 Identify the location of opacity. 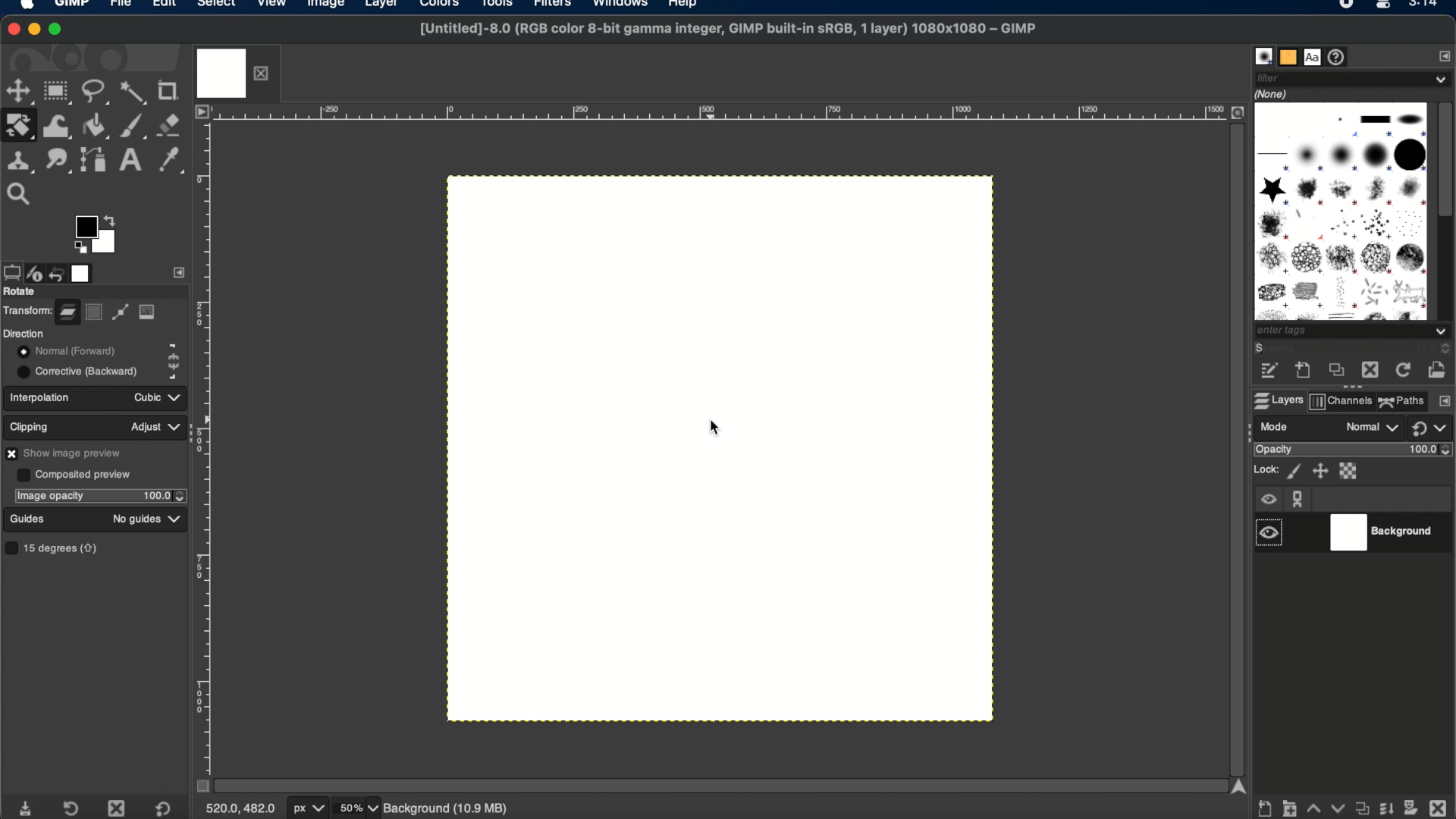
(1273, 450).